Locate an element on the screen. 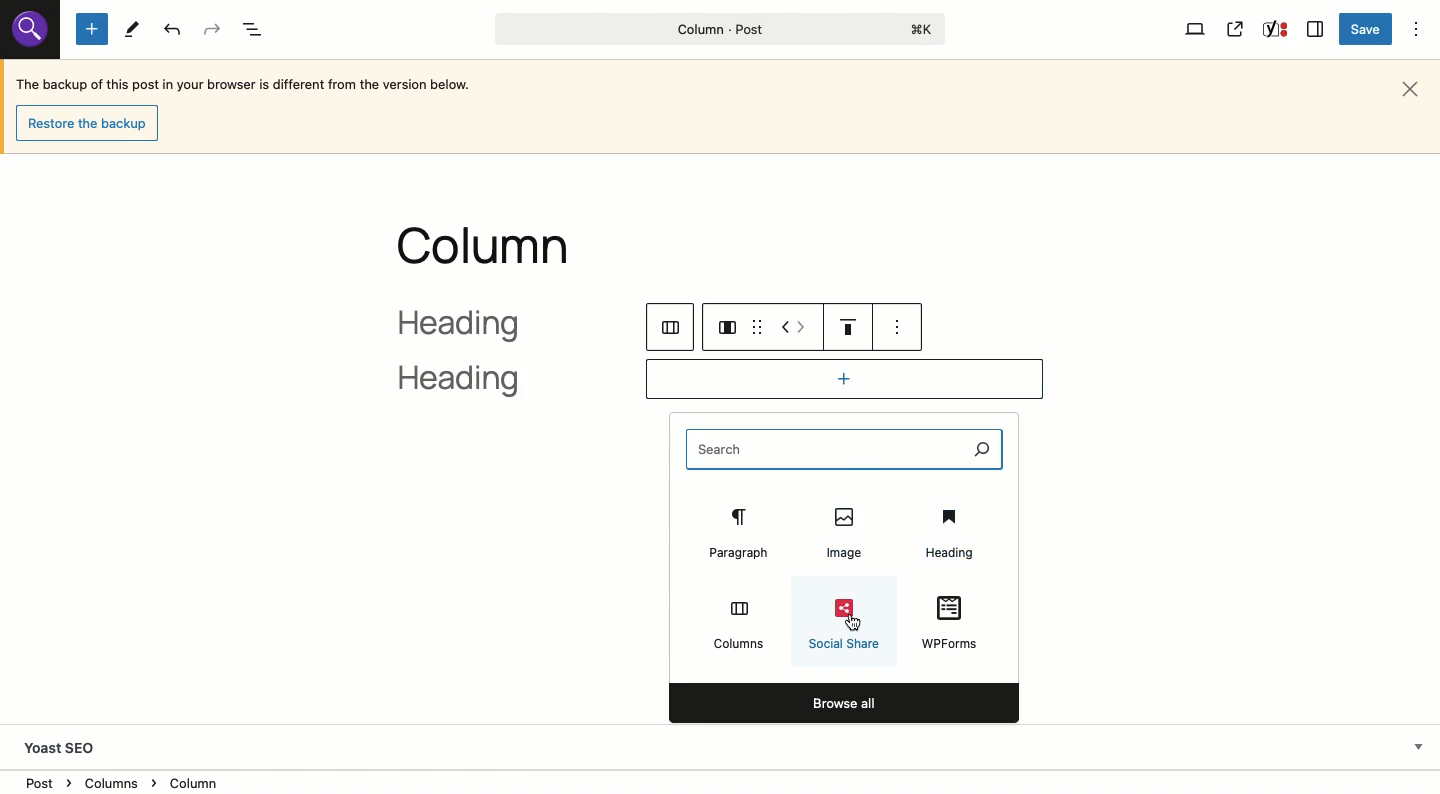  Browse all is located at coordinates (845, 702).